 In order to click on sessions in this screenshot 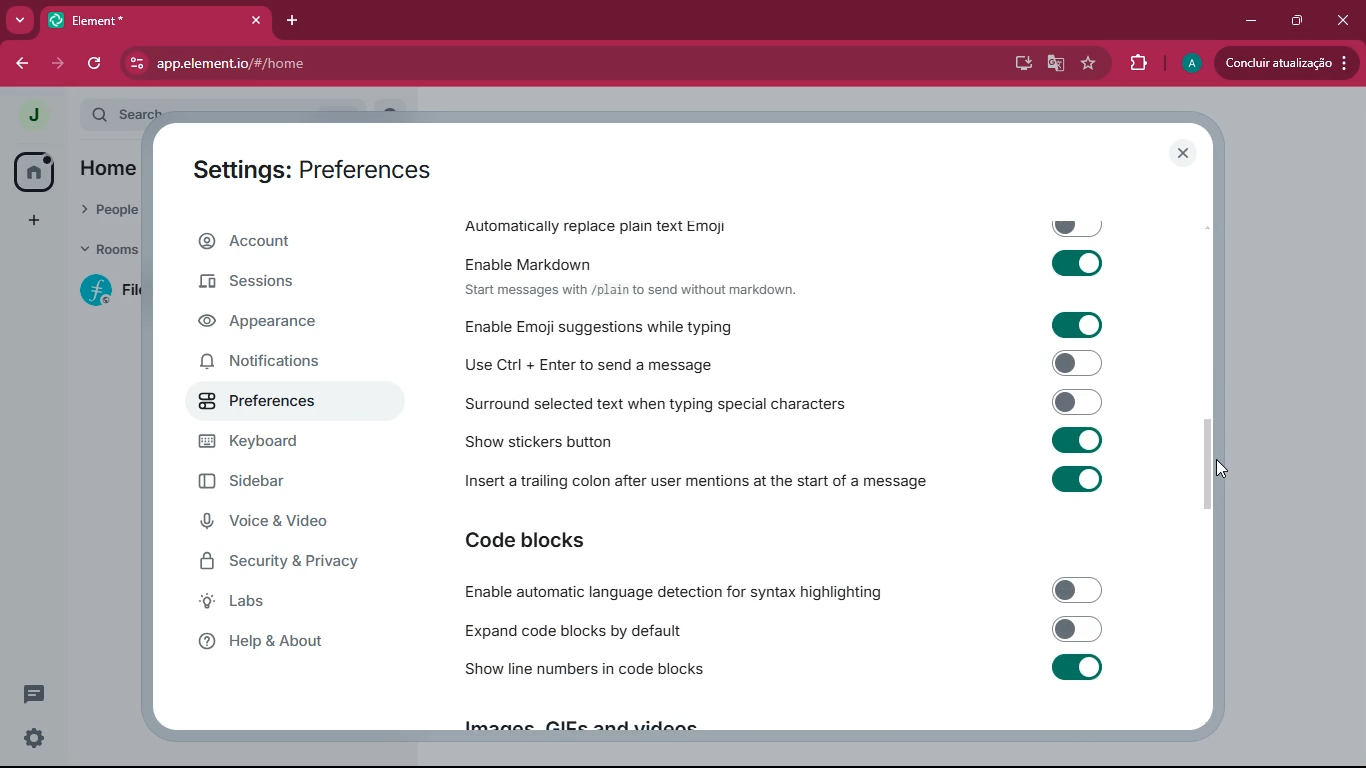, I will do `click(283, 285)`.